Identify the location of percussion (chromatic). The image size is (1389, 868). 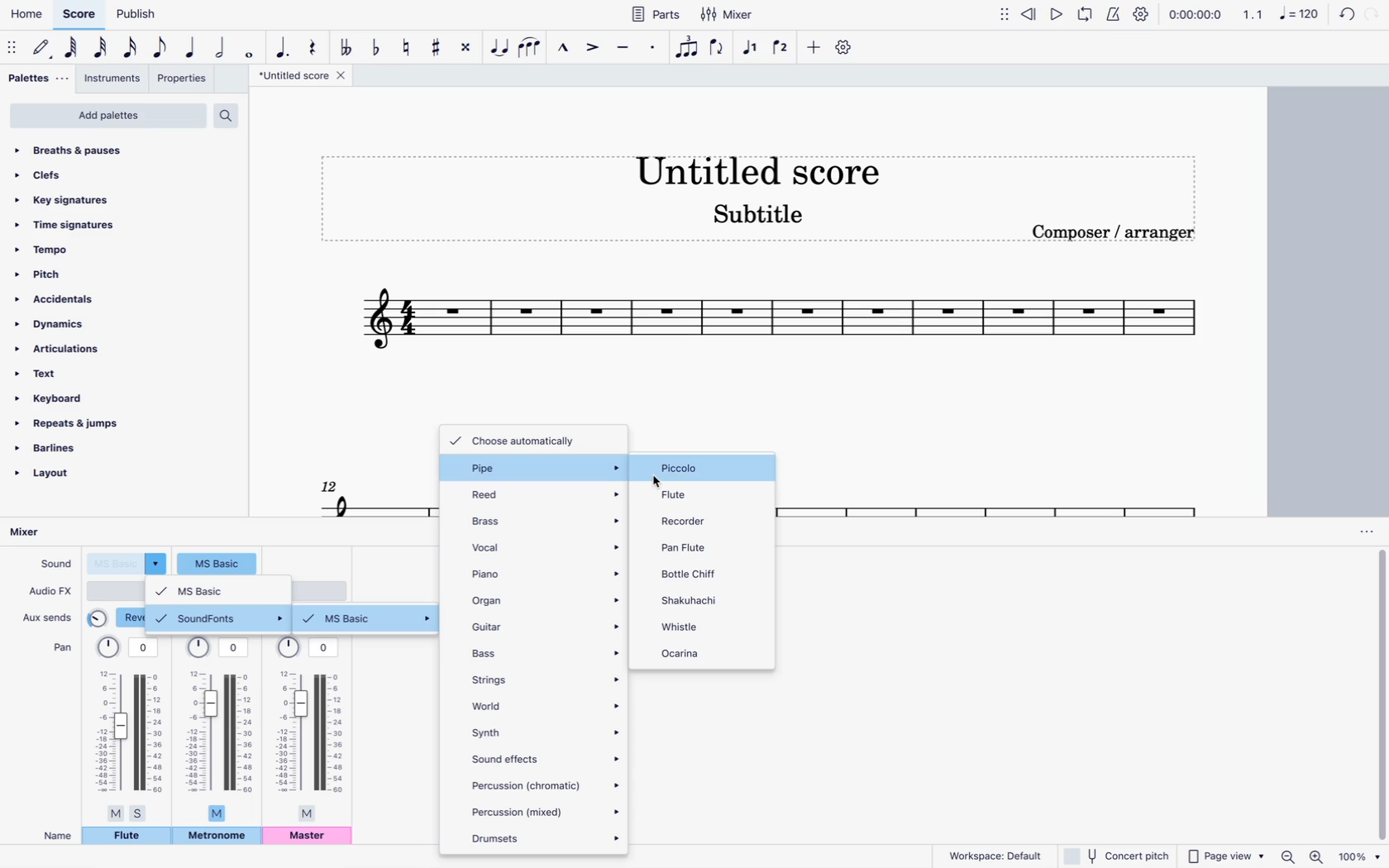
(547, 782).